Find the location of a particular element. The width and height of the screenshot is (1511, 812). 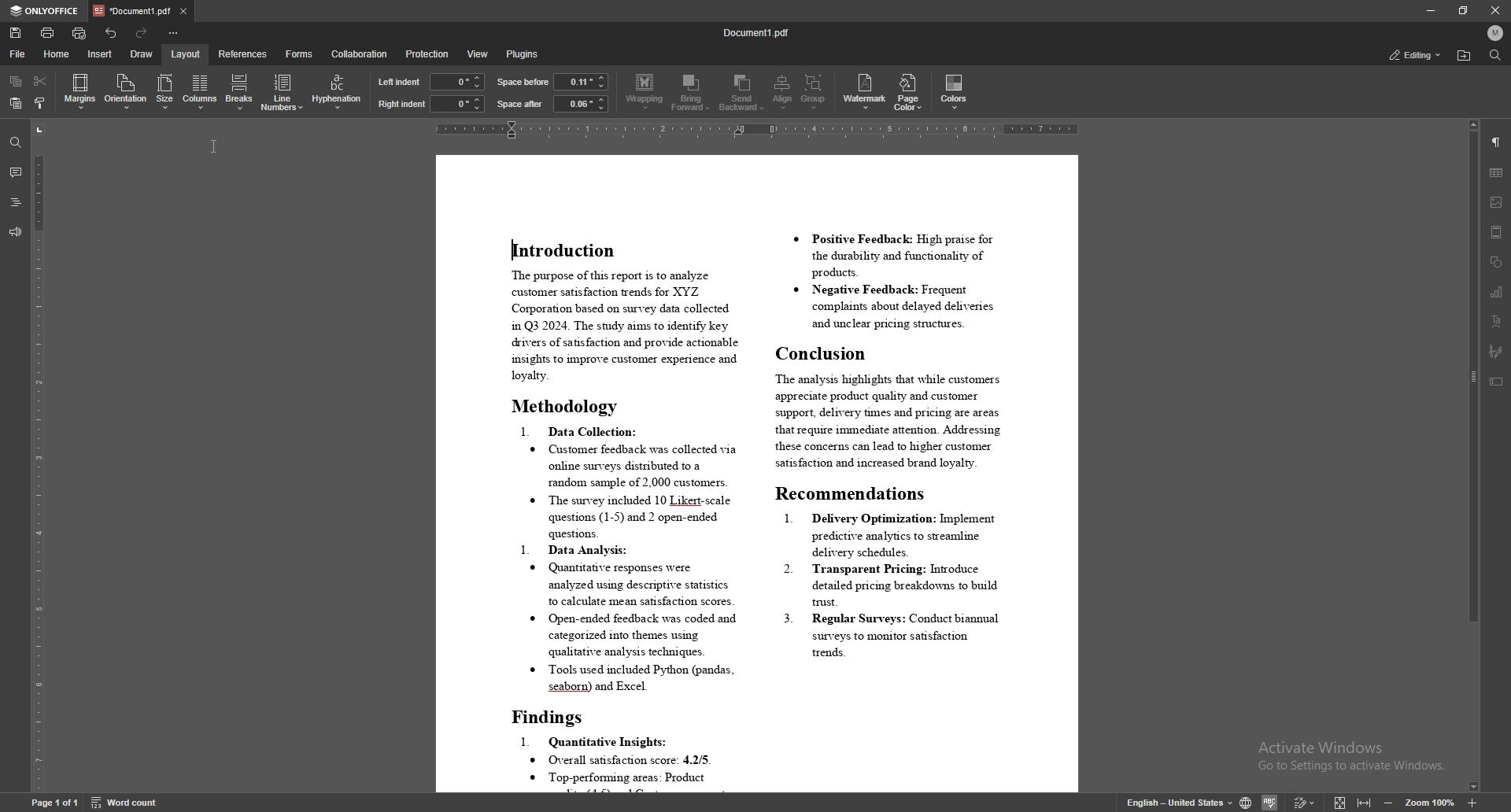

left indent input is located at coordinates (458, 82).